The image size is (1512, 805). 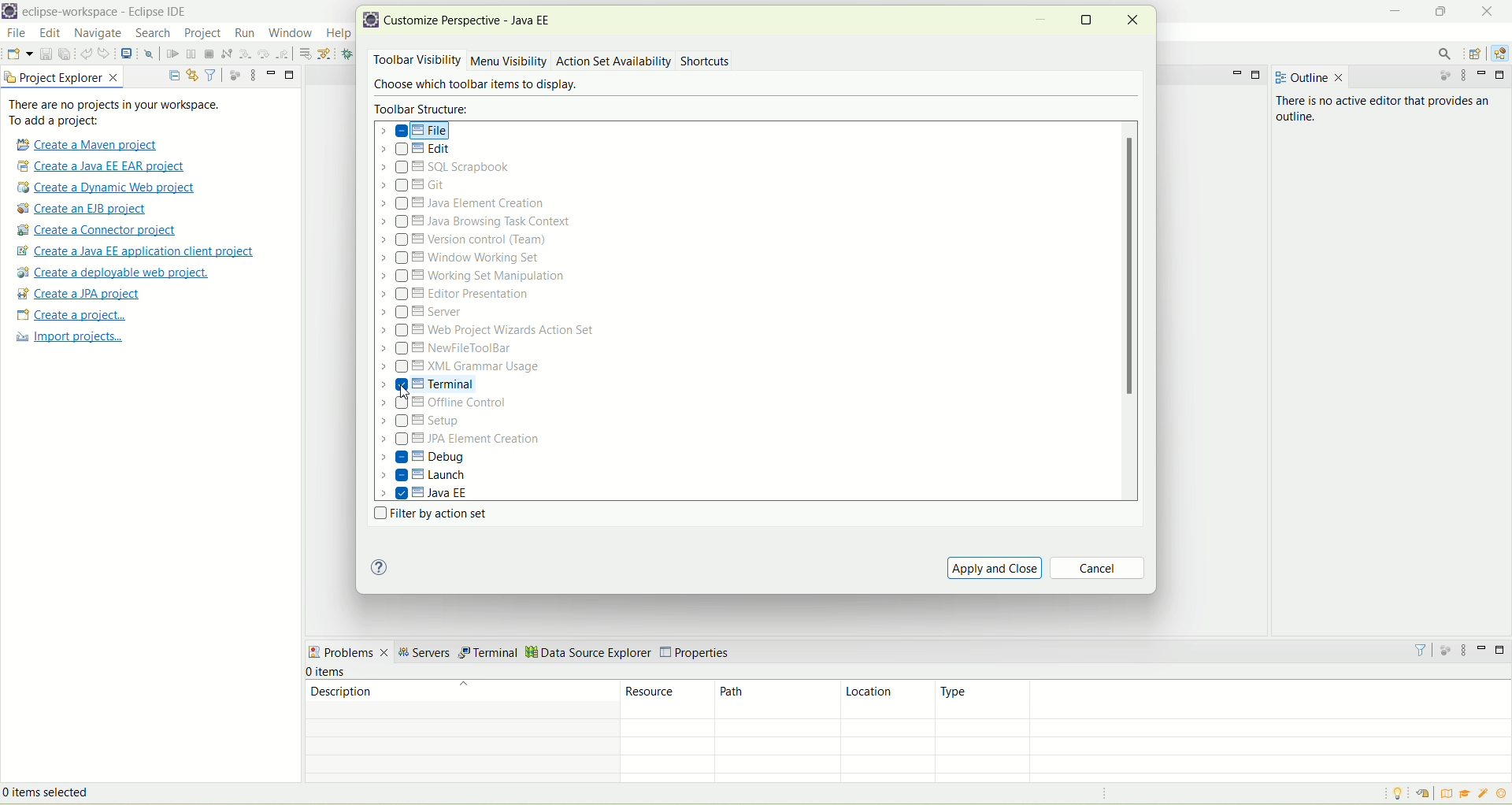 What do you see at coordinates (1484, 10) in the screenshot?
I see `close` at bounding box center [1484, 10].